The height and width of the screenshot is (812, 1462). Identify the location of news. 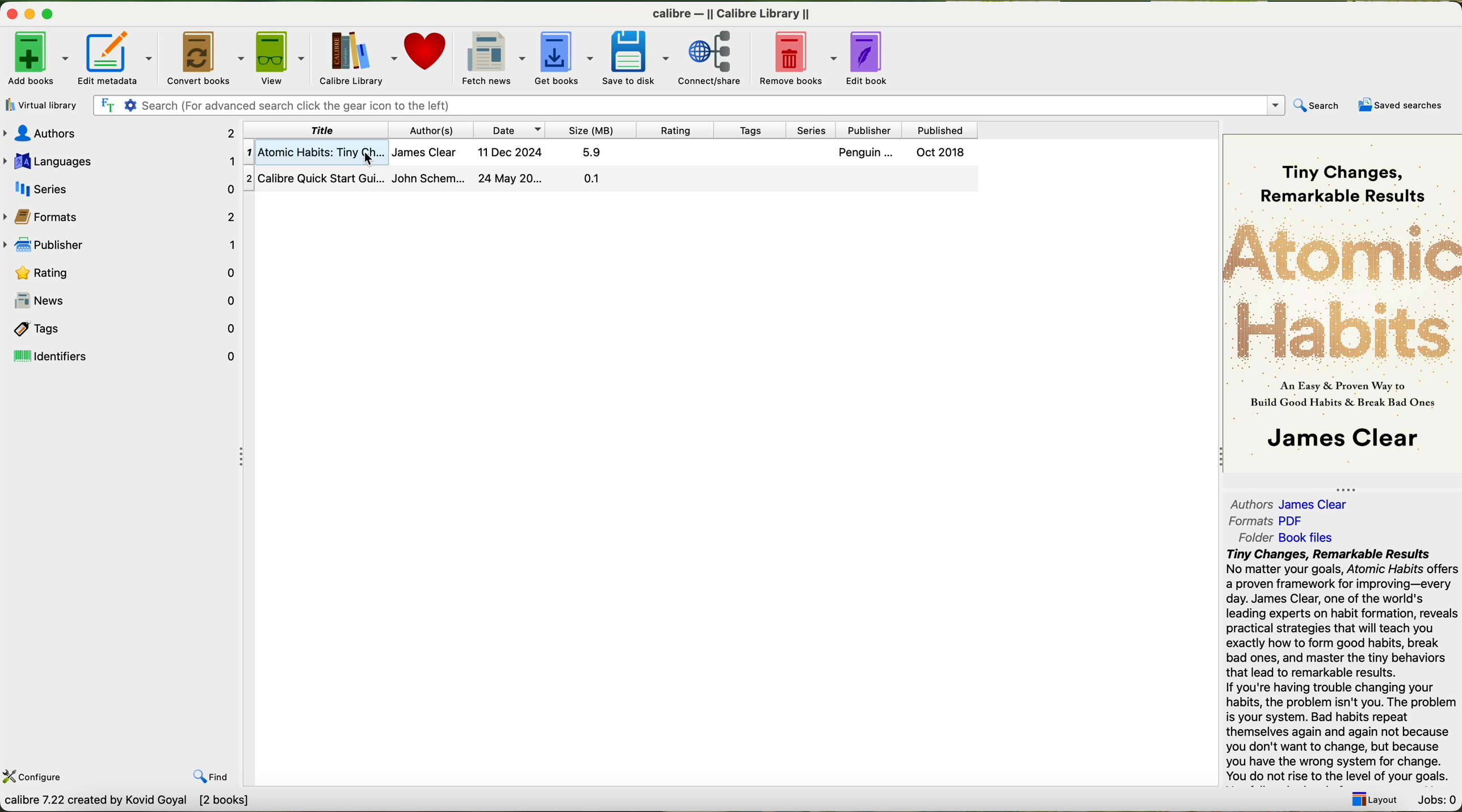
(123, 297).